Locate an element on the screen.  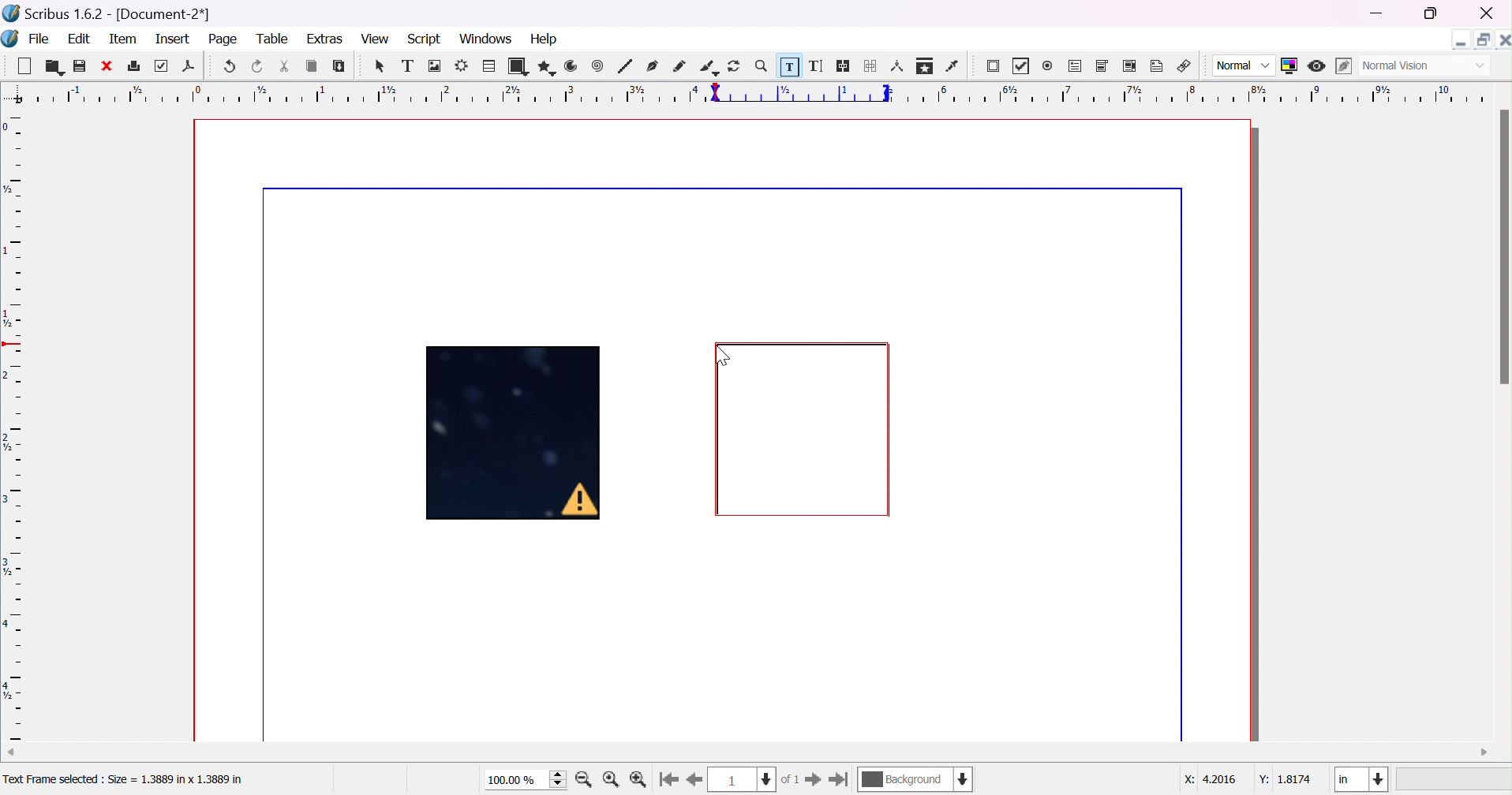
page is located at coordinates (226, 40).